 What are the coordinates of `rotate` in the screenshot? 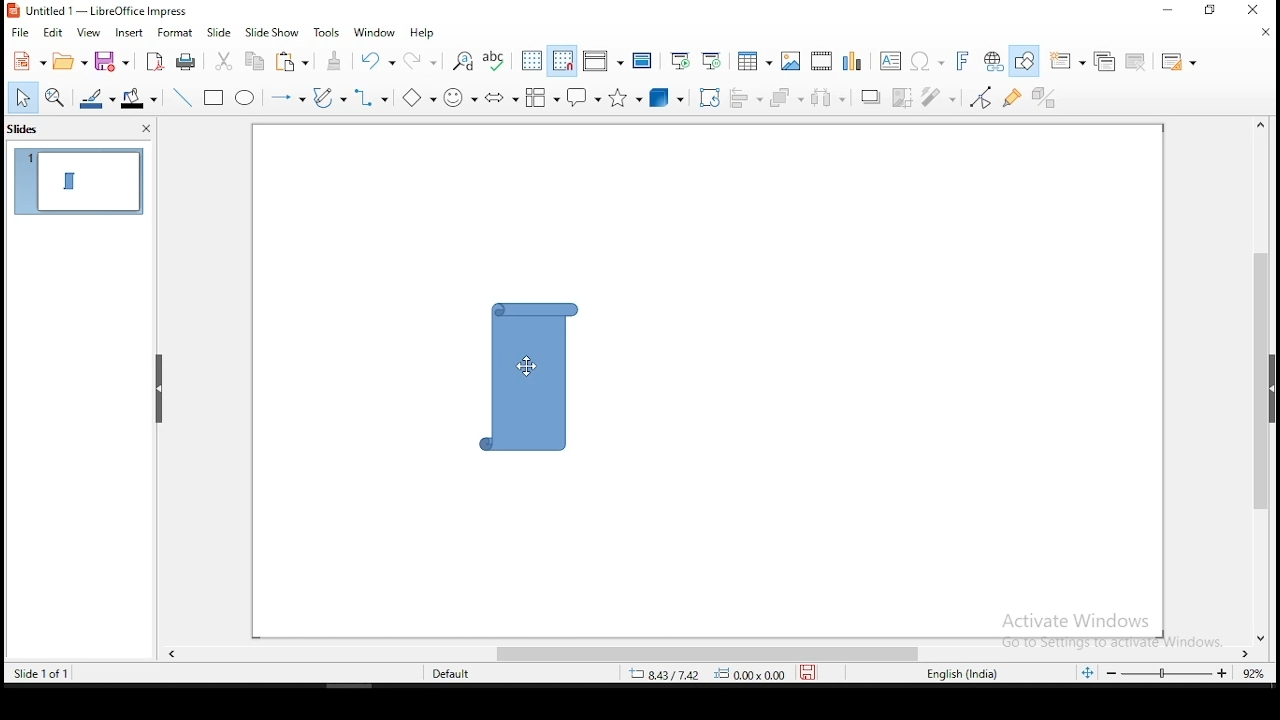 It's located at (709, 96).